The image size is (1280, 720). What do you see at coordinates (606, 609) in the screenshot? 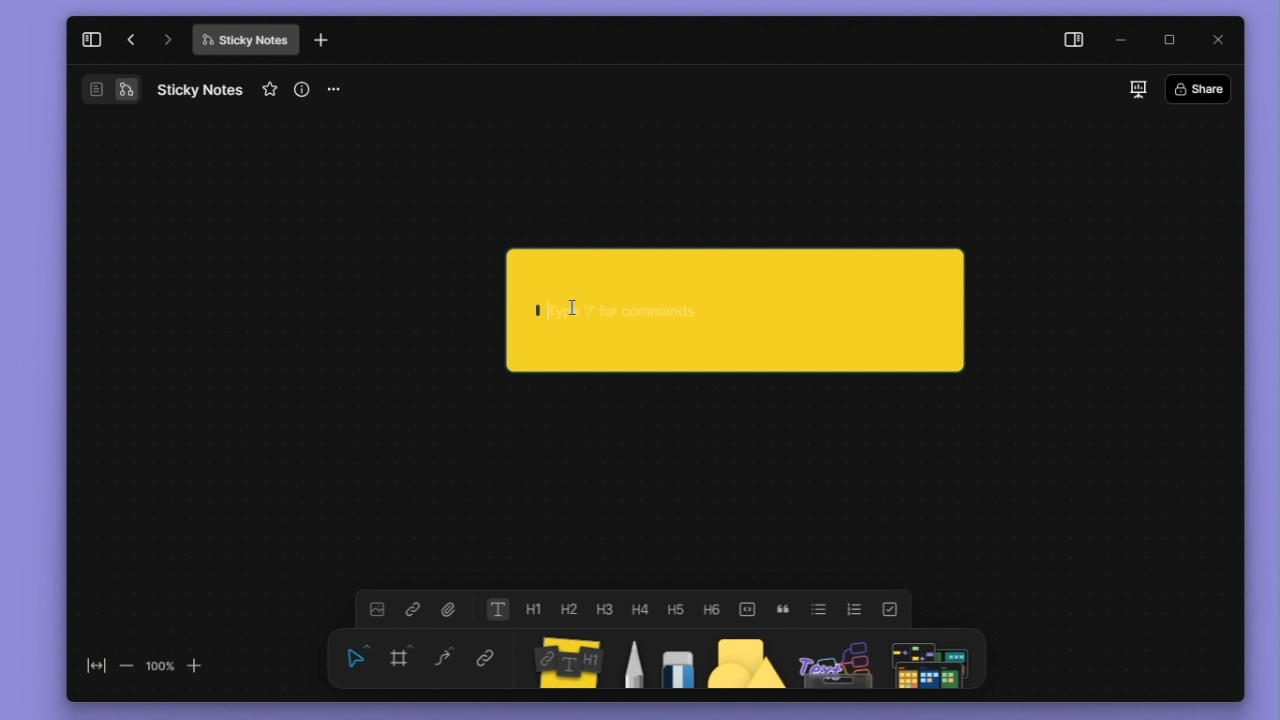
I see `heading` at bounding box center [606, 609].